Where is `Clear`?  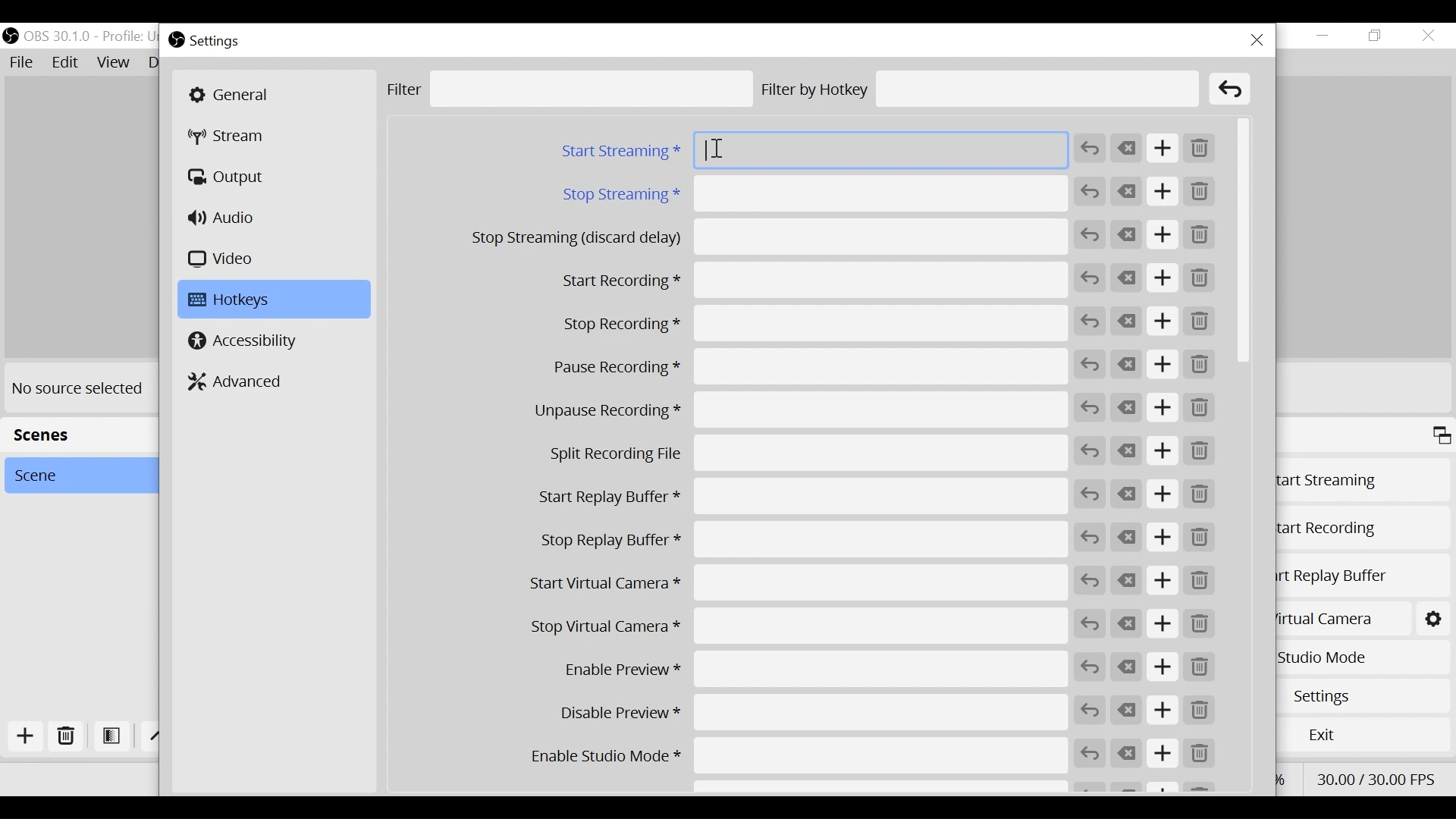 Clear is located at coordinates (1128, 407).